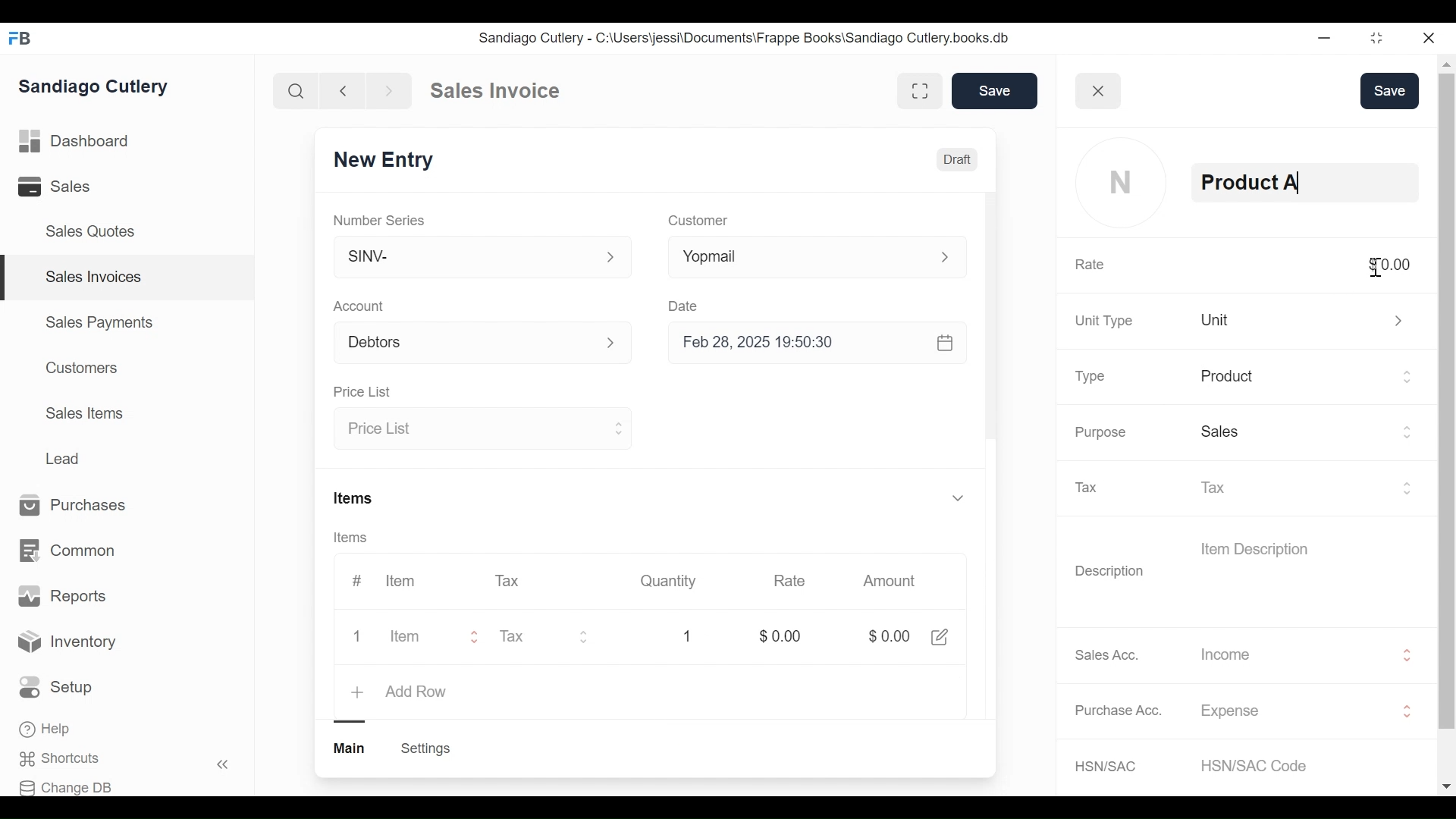 The image size is (1456, 819). Describe the element at coordinates (887, 582) in the screenshot. I see `Amount` at that location.